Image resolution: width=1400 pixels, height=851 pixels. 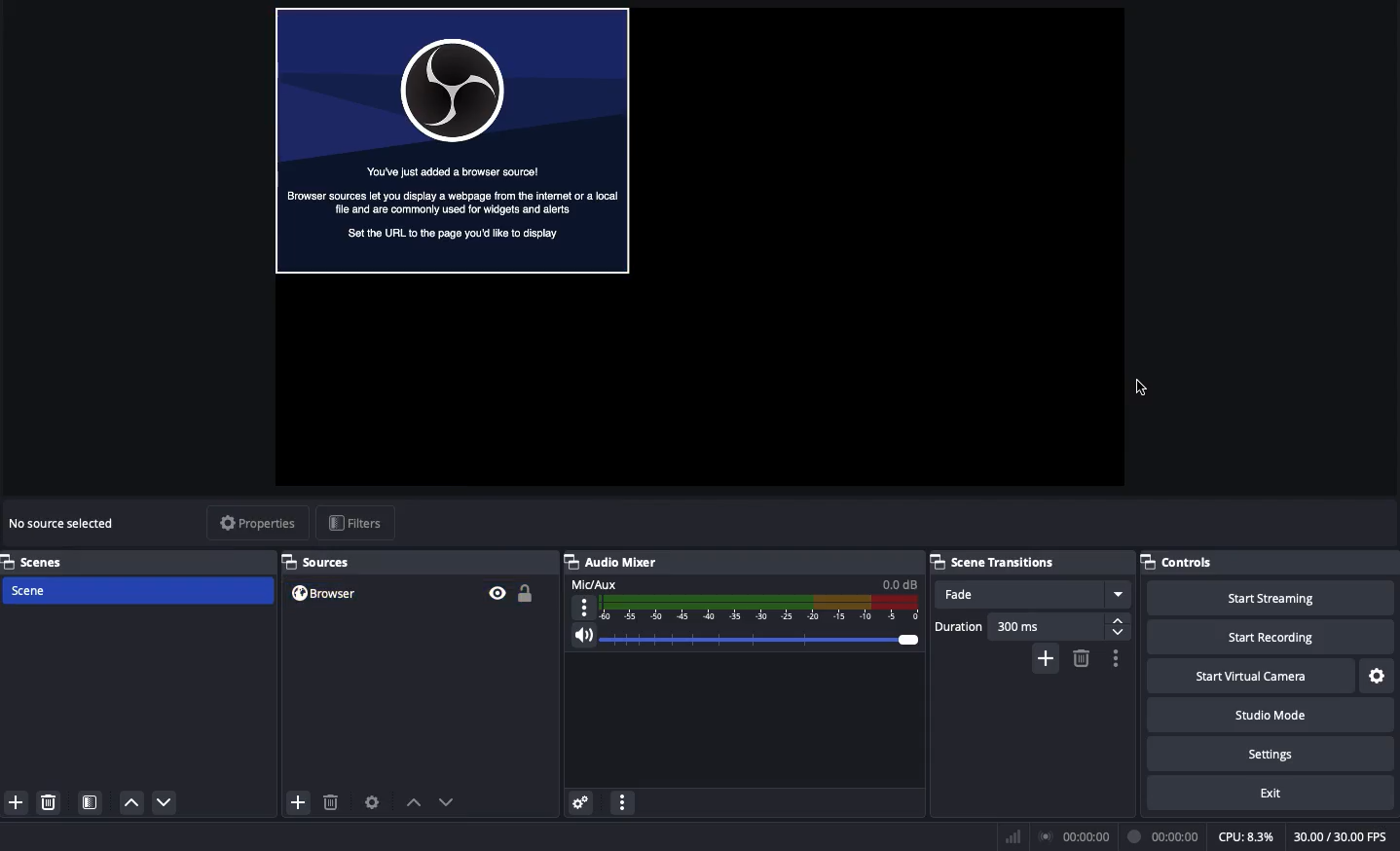 I want to click on Broadcast, so click(x=1072, y=836).